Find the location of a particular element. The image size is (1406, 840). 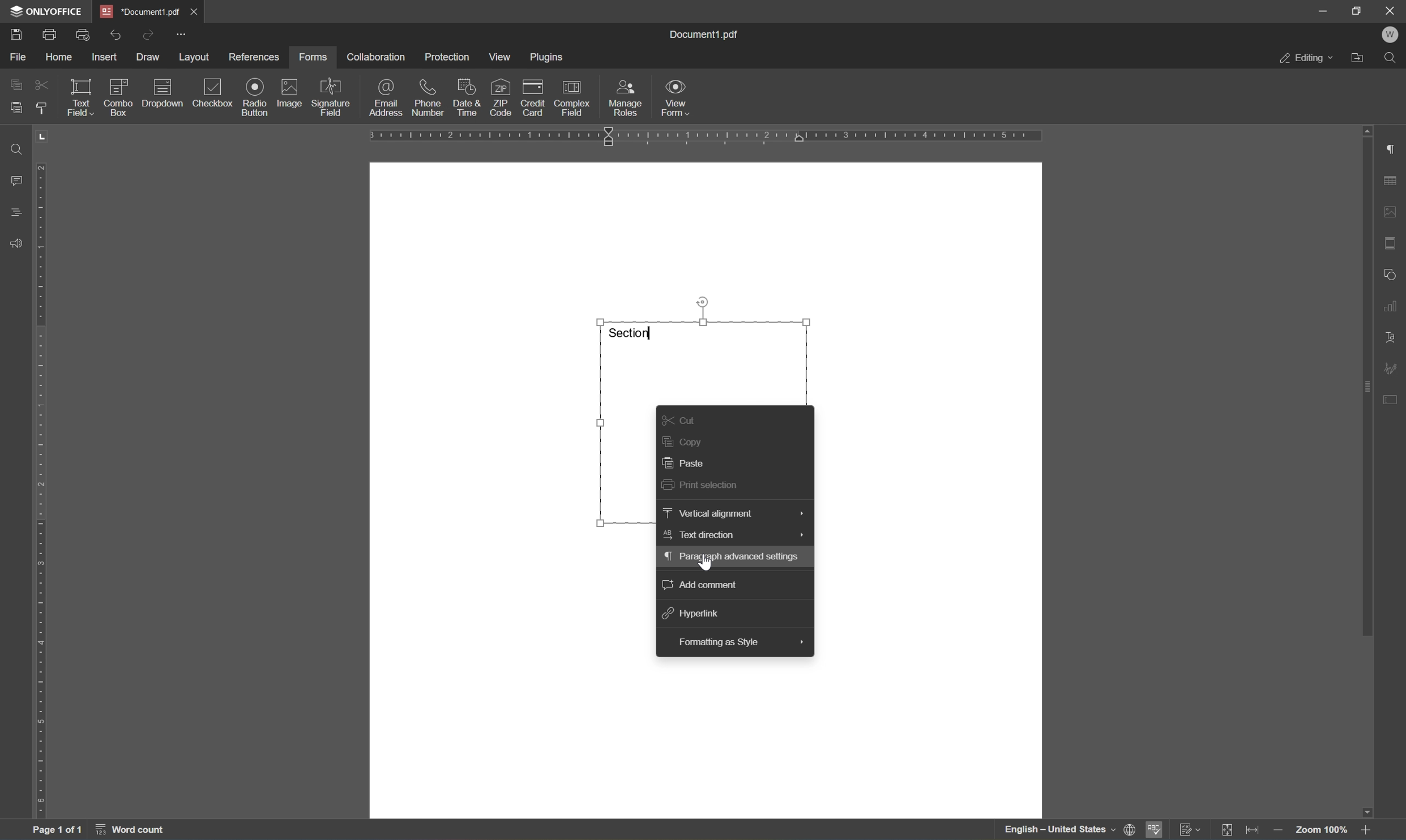

checkbox is located at coordinates (215, 93).